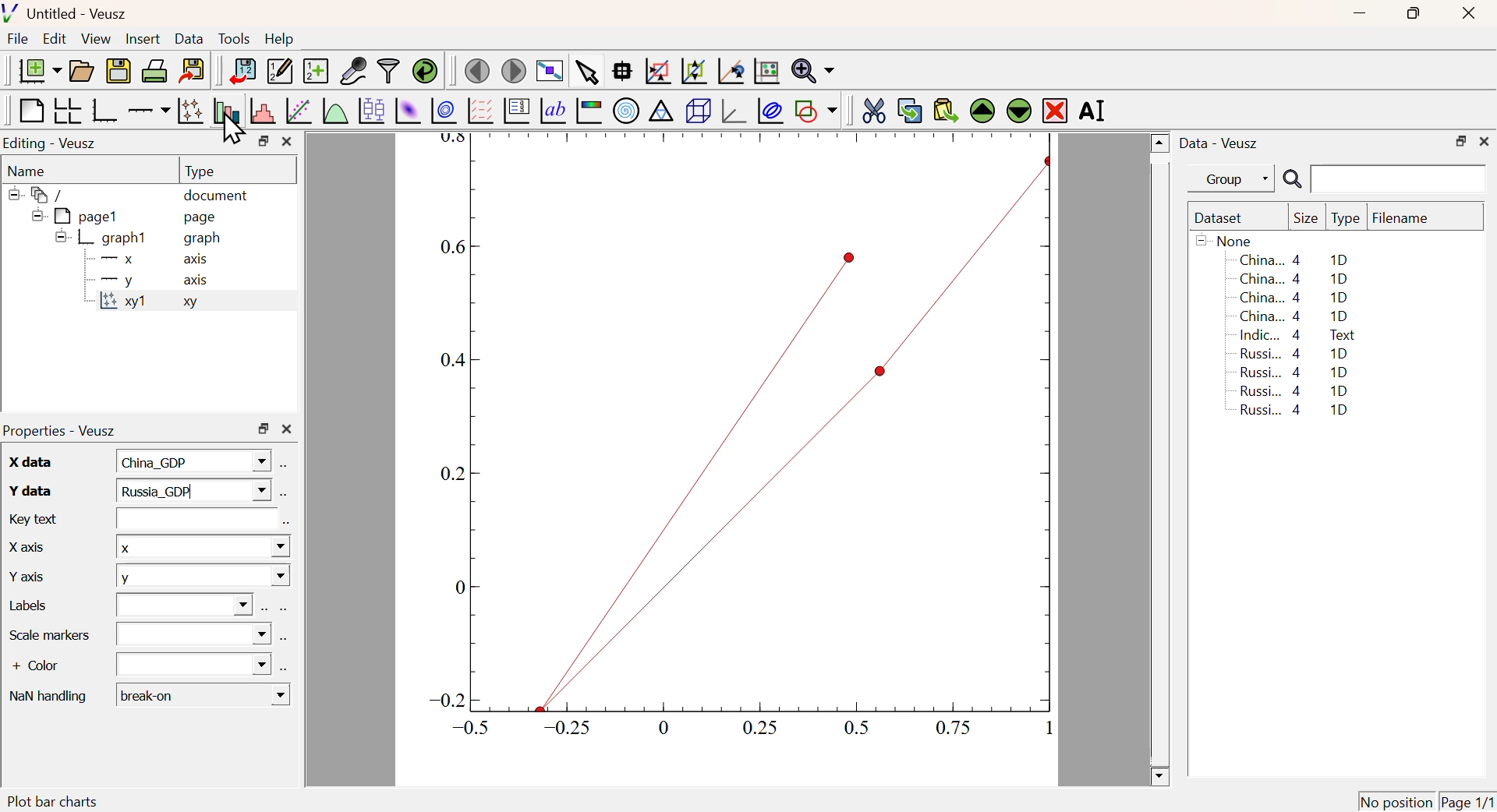 This screenshot has height=812, width=1497. What do you see at coordinates (984, 111) in the screenshot?
I see `Move Up` at bounding box center [984, 111].